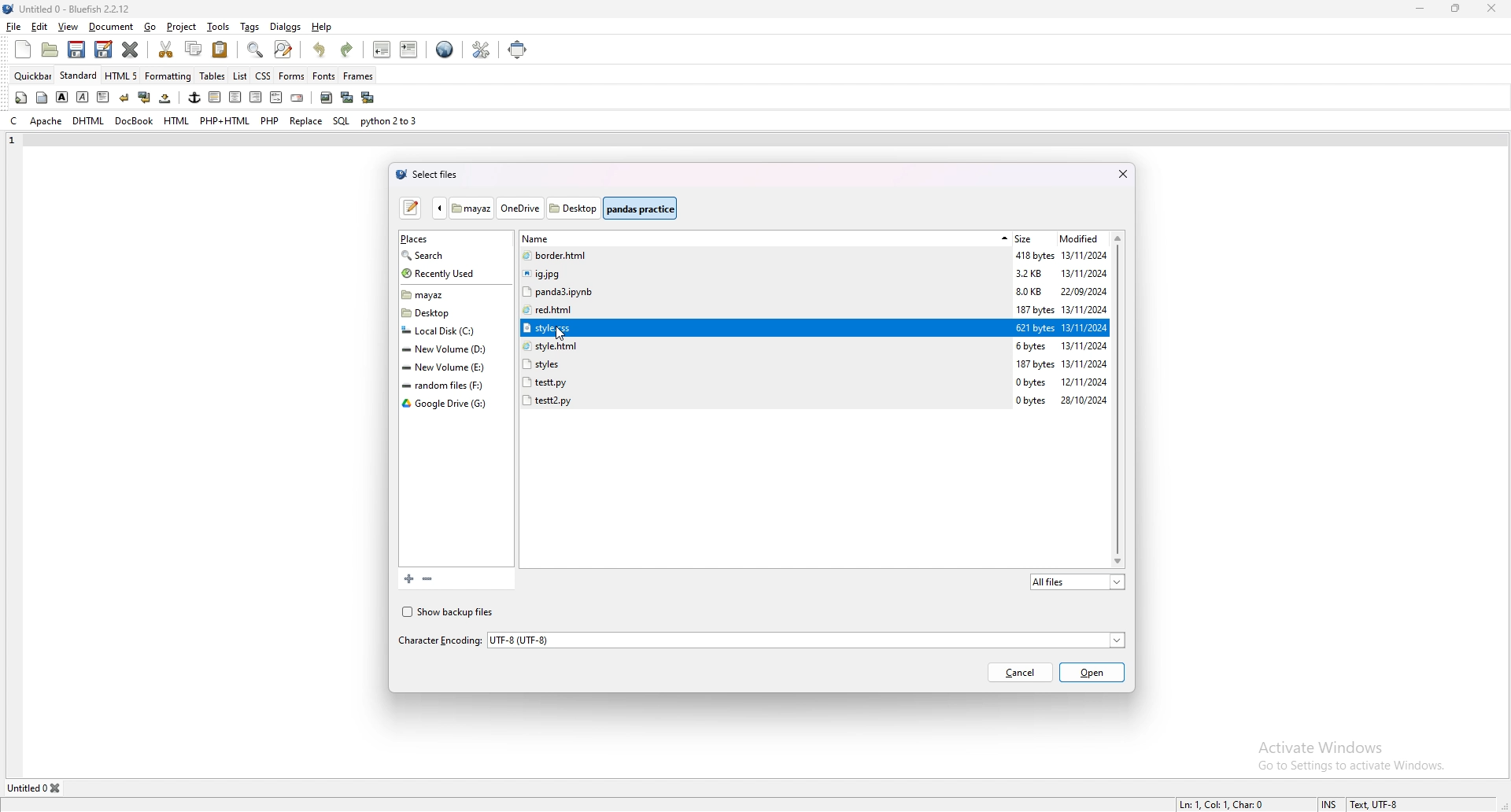  I want to click on logo, so click(11, 9).